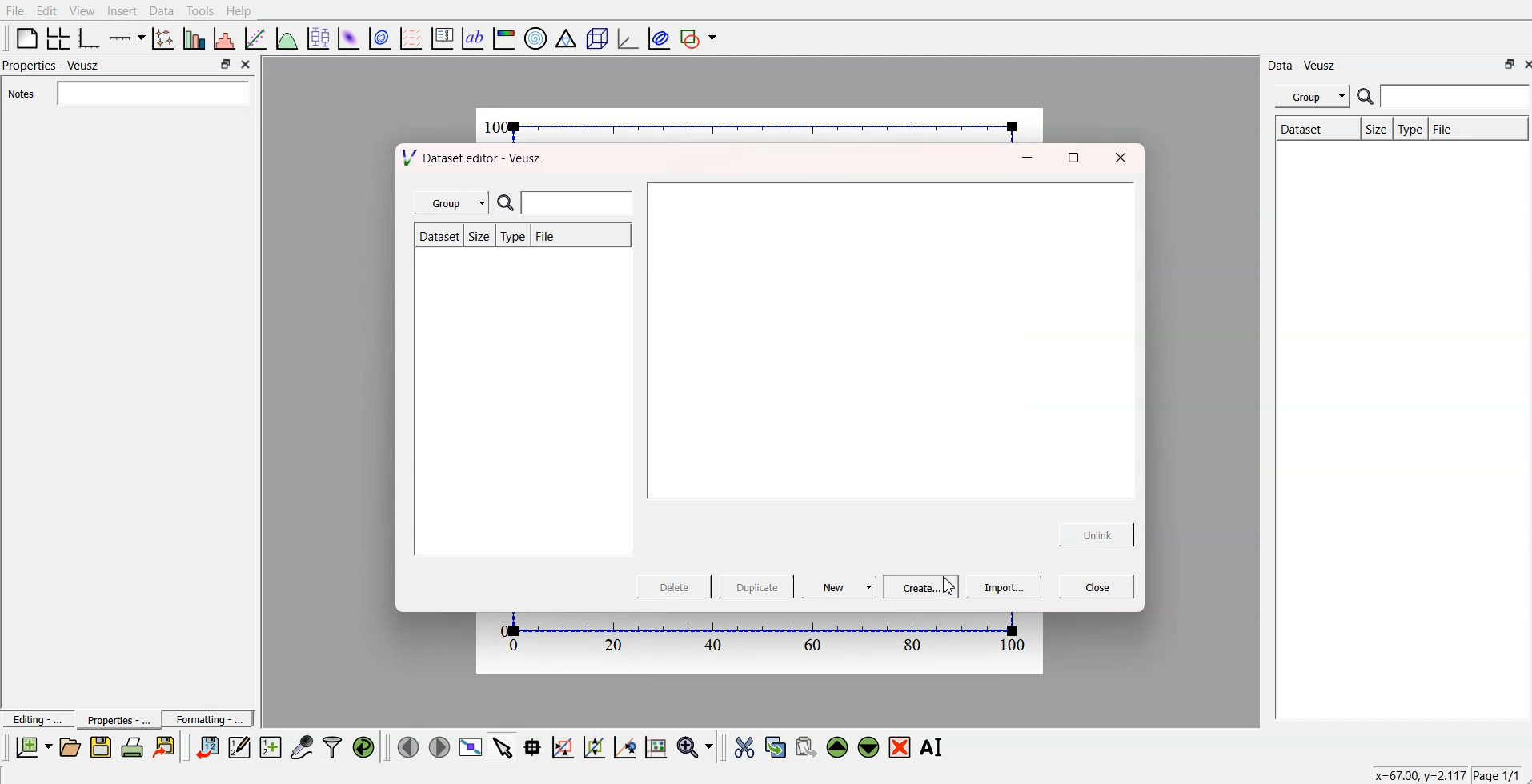 The width and height of the screenshot is (1532, 784). I want to click on select items from the graph, so click(505, 746).